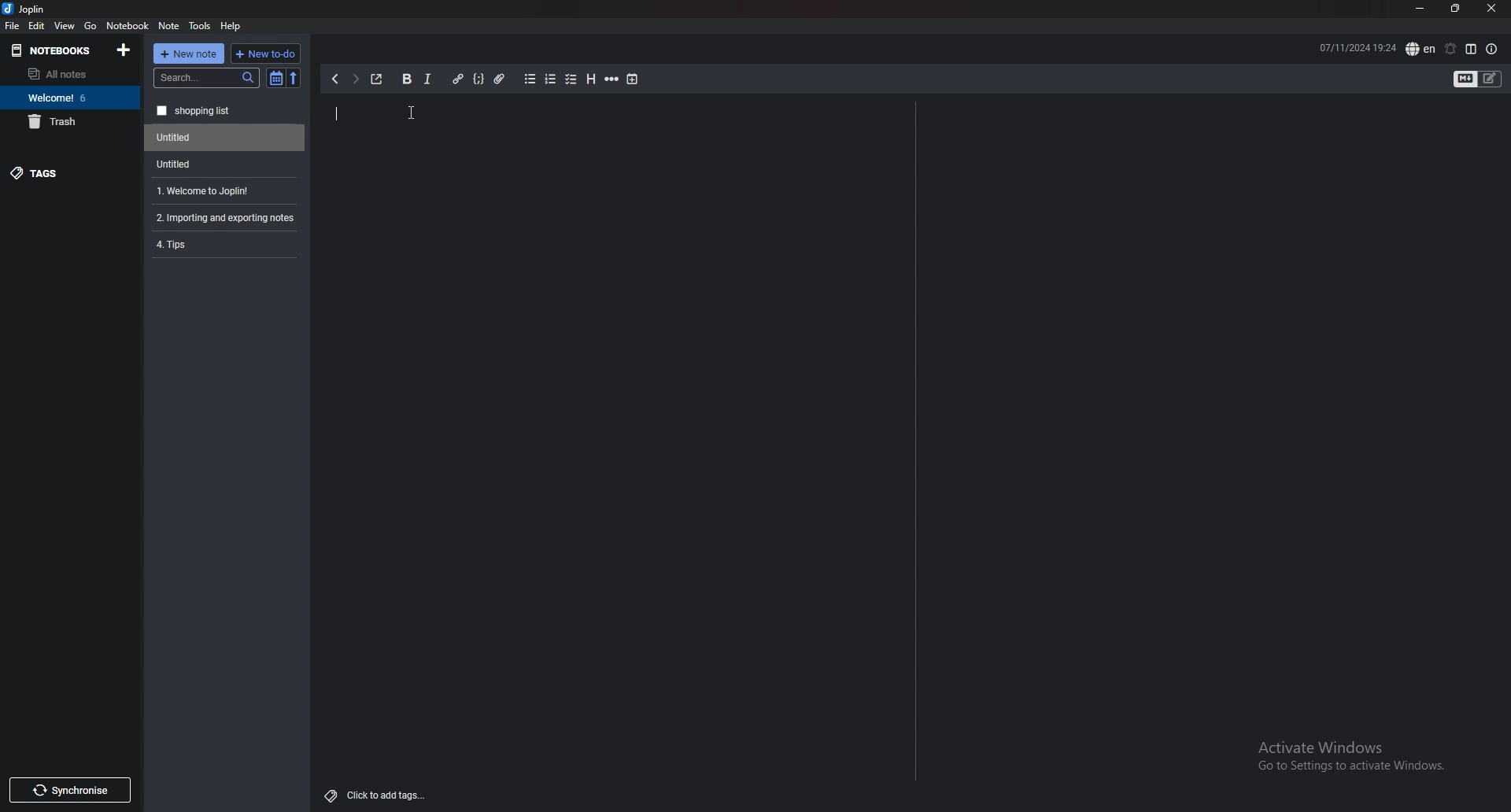  Describe the element at coordinates (1450, 49) in the screenshot. I see `set alarm` at that location.